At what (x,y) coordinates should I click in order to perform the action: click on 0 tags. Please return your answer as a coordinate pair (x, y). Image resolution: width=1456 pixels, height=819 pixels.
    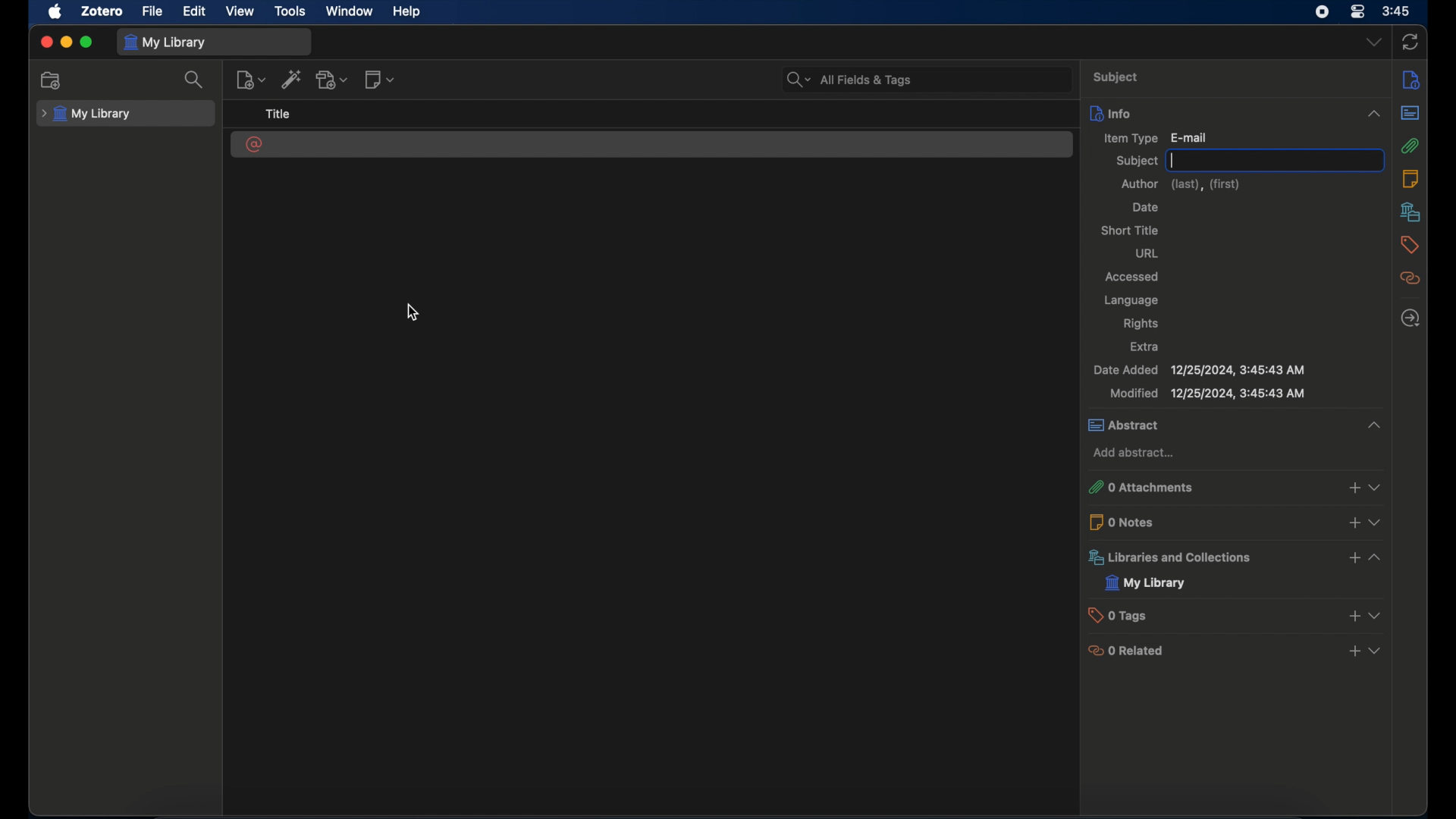
    Looking at the image, I should click on (1238, 614).